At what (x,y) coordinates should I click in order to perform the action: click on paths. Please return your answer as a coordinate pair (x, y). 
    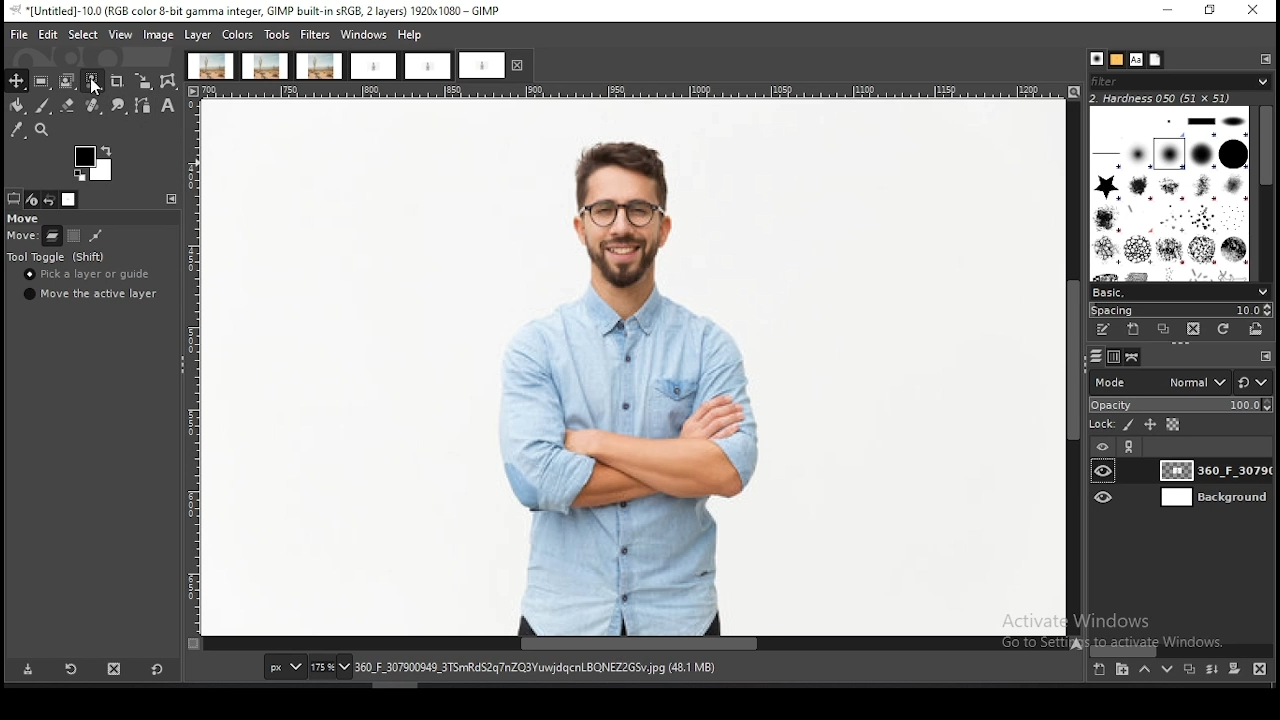
    Looking at the image, I should click on (96, 236).